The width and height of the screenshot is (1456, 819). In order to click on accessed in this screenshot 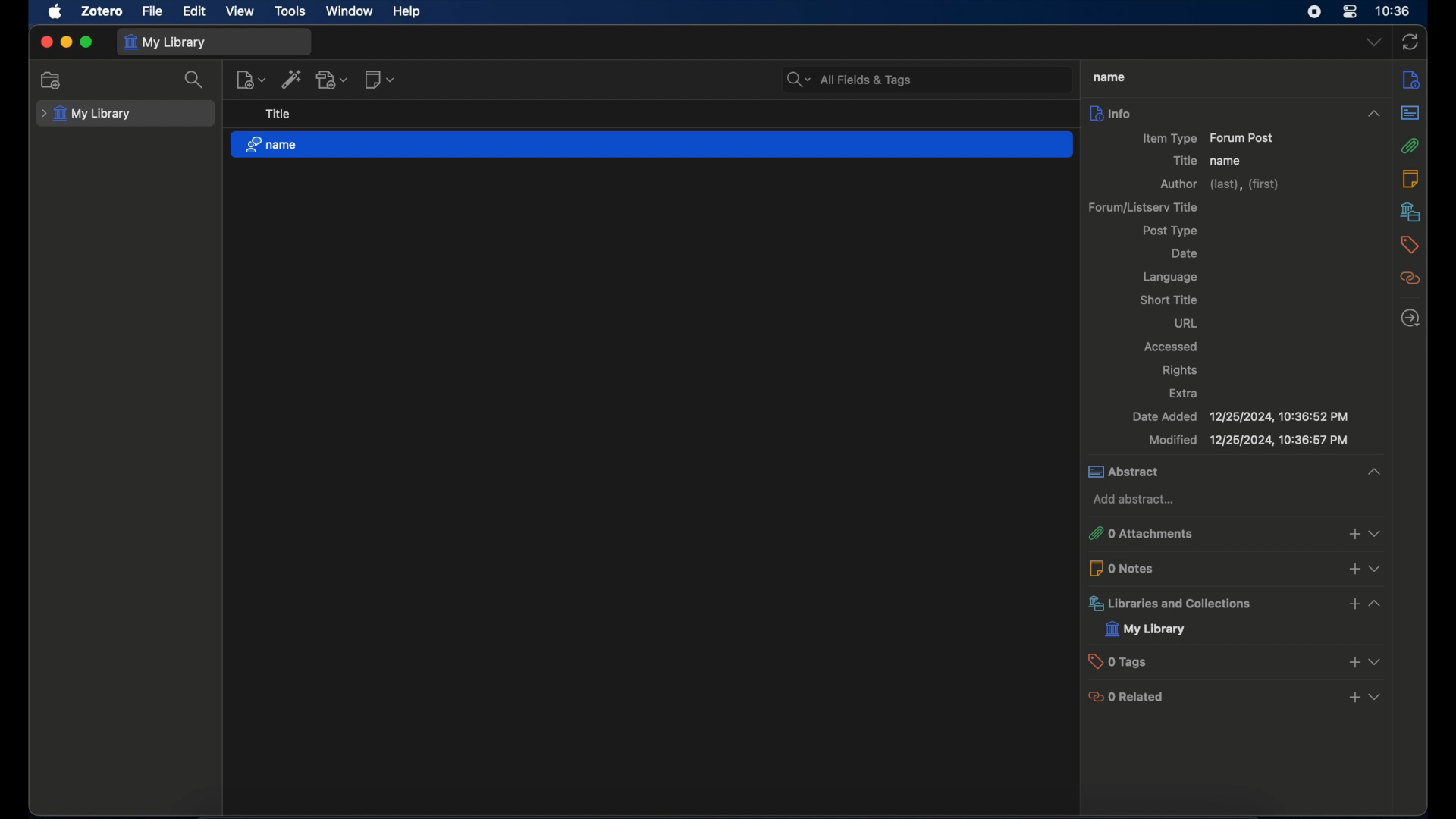, I will do `click(1171, 347)`.